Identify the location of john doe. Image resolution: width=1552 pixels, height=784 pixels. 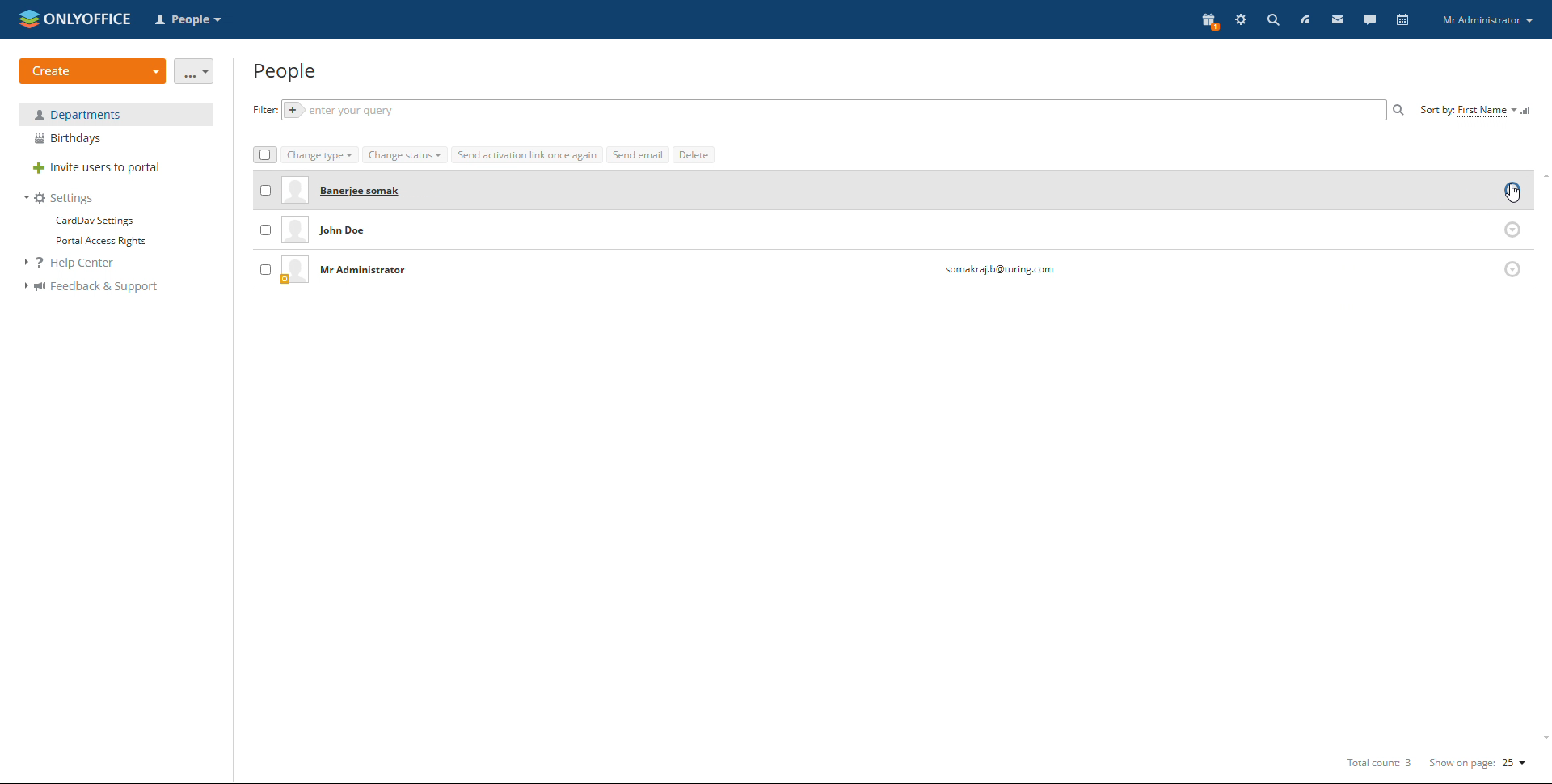
(358, 232).